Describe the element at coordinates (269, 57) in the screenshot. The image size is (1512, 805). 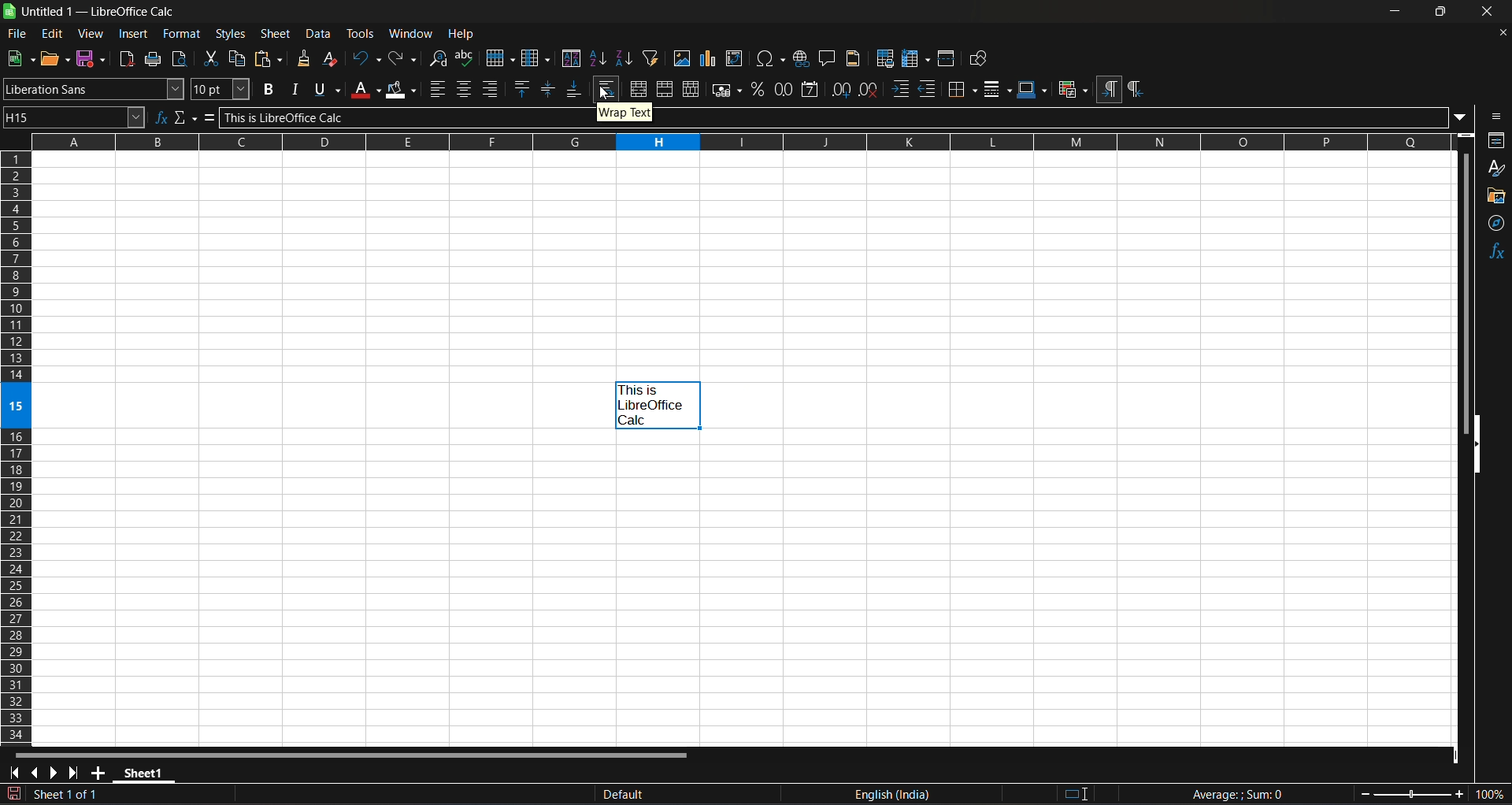
I see `paste` at that location.